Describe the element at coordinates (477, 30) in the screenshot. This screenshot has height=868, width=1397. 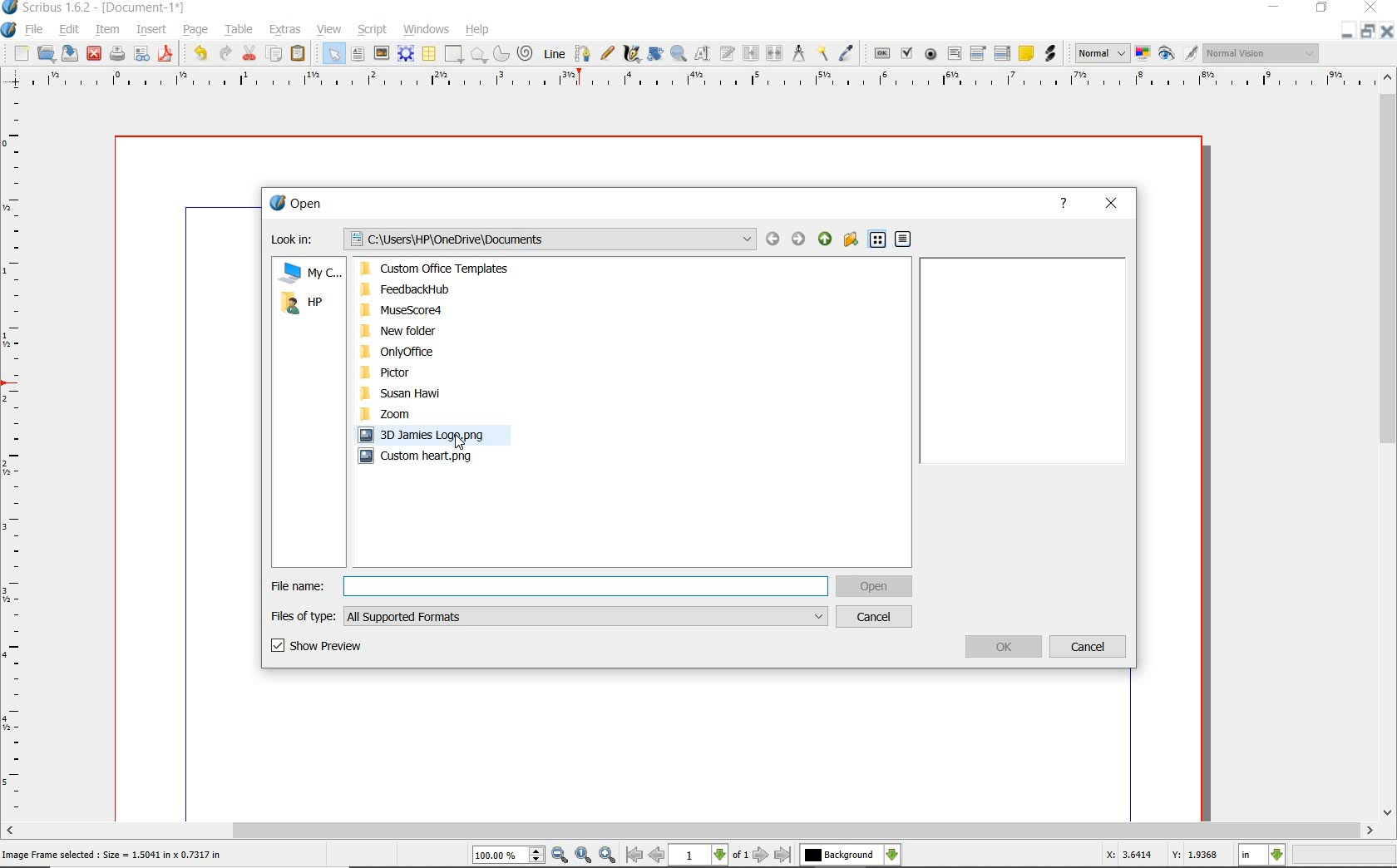
I see `help` at that location.